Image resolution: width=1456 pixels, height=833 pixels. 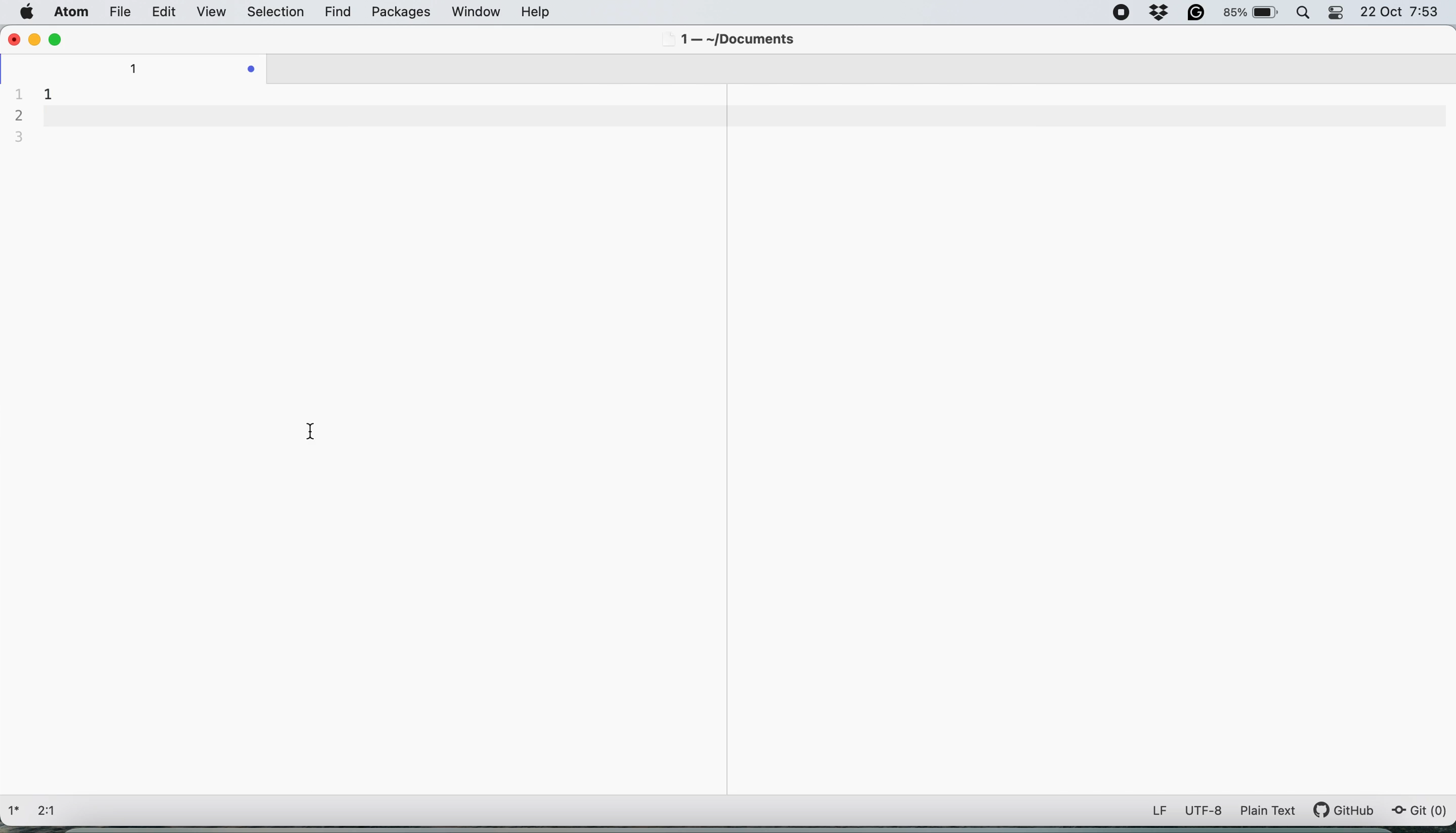 I want to click on utf 8, so click(x=1204, y=812).